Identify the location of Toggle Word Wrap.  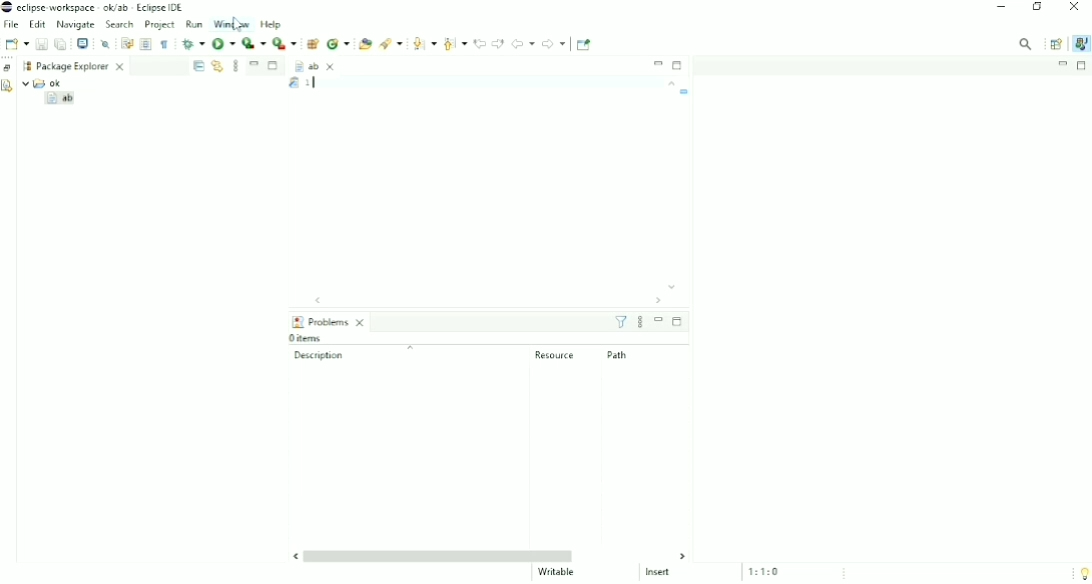
(126, 42).